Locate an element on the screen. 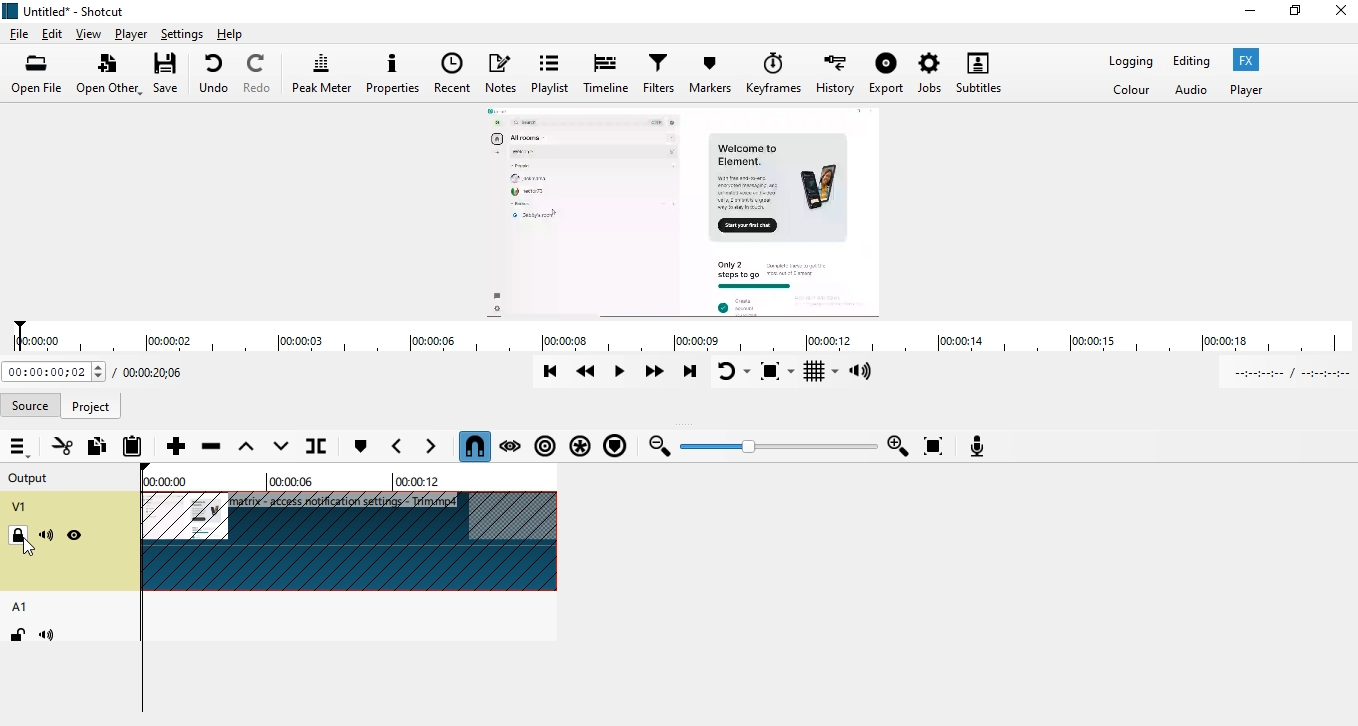 The width and height of the screenshot is (1358, 726). audio is located at coordinates (1191, 91).